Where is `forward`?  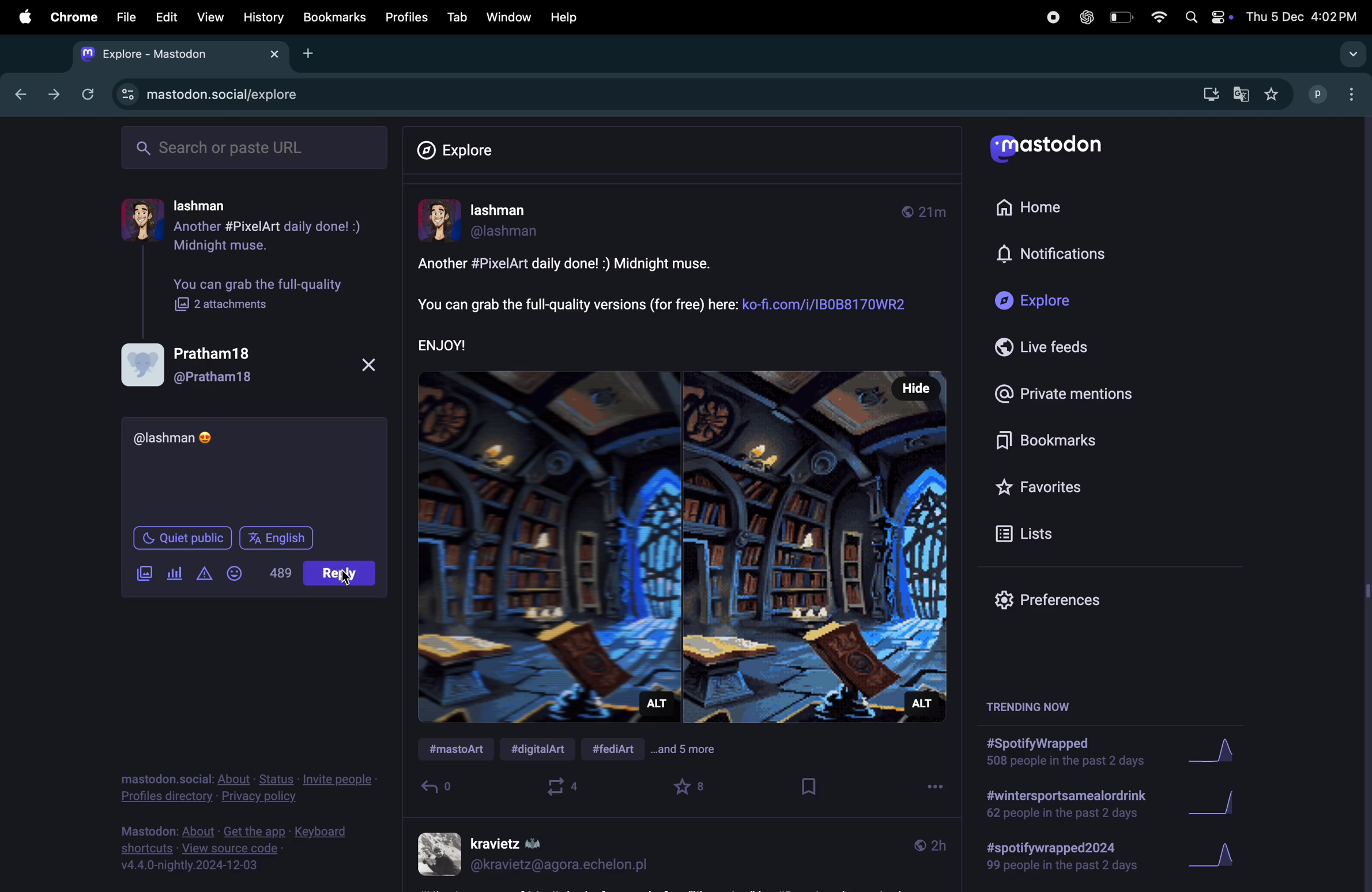 forward is located at coordinates (52, 95).